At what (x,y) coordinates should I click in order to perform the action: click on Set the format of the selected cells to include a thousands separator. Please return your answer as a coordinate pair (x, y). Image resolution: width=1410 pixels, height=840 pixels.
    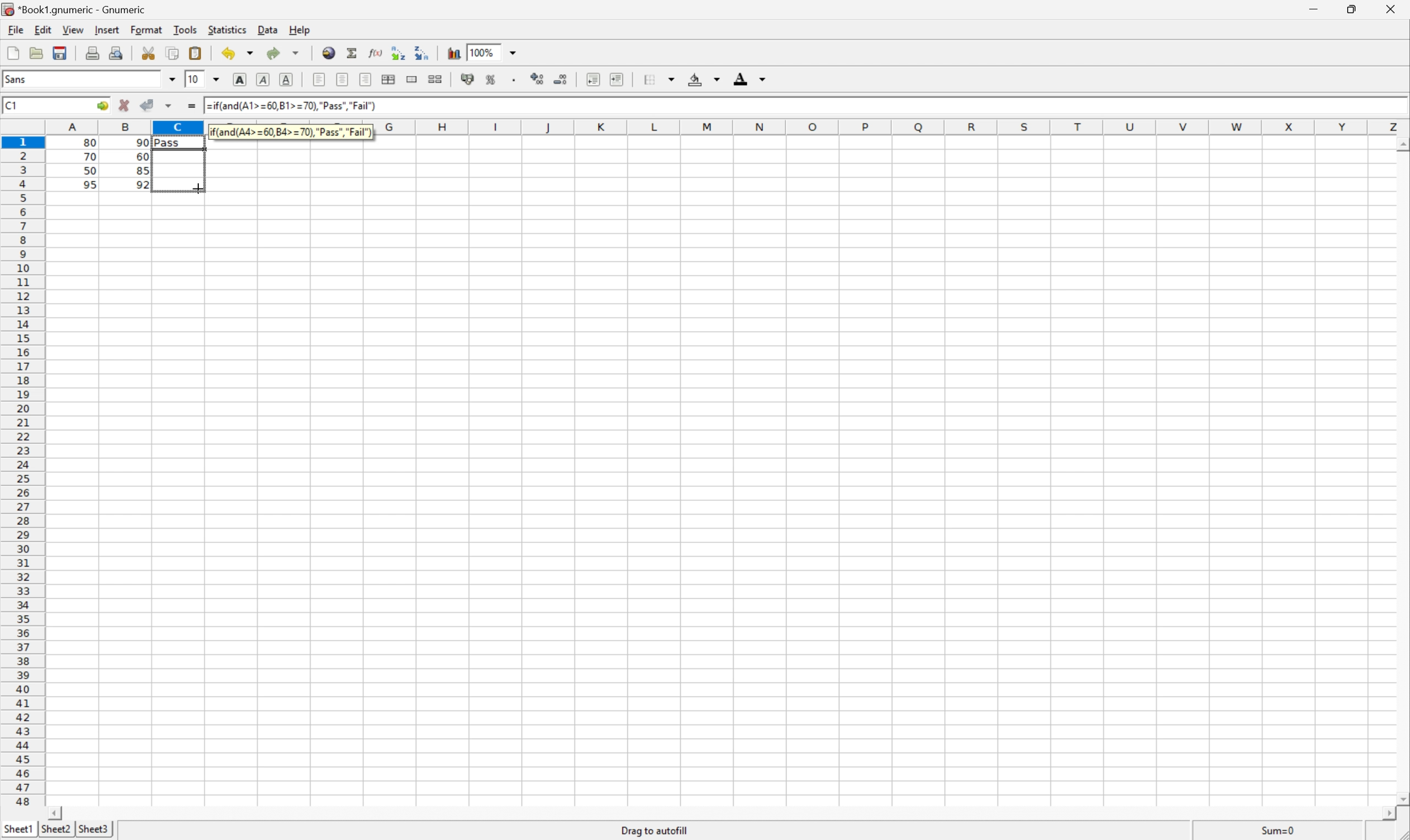
    Looking at the image, I should click on (516, 77).